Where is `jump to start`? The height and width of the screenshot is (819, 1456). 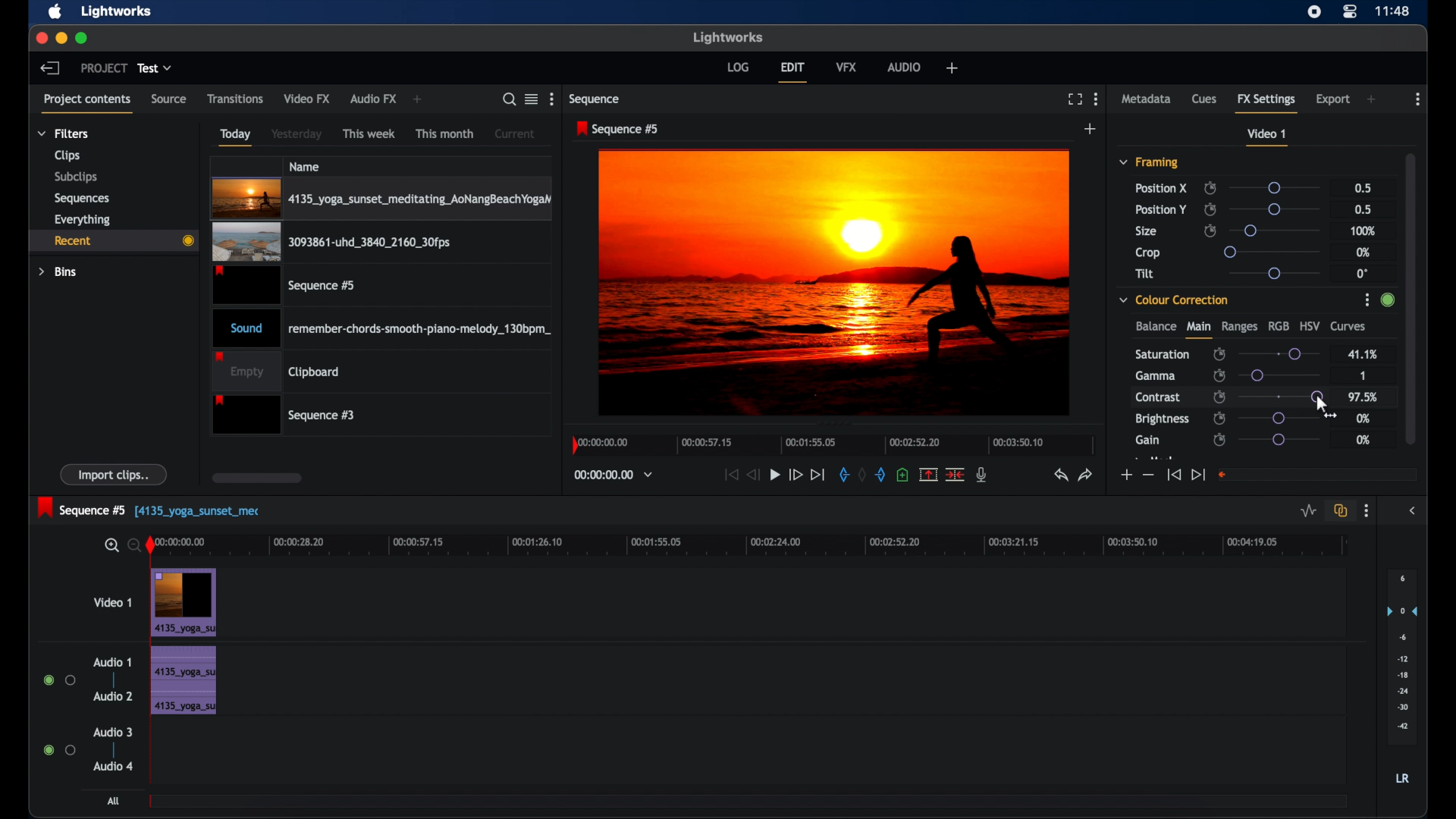 jump to start is located at coordinates (731, 474).